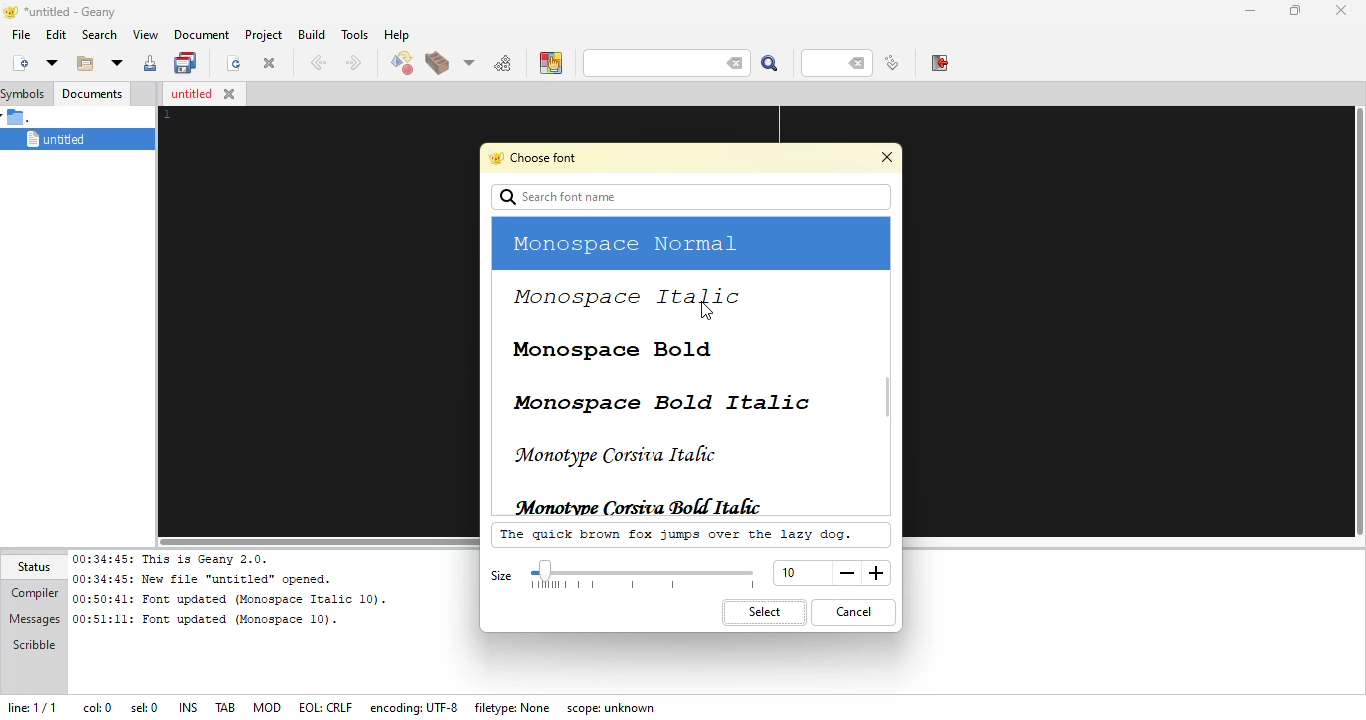  Describe the element at coordinates (20, 117) in the screenshot. I see `.` at that location.